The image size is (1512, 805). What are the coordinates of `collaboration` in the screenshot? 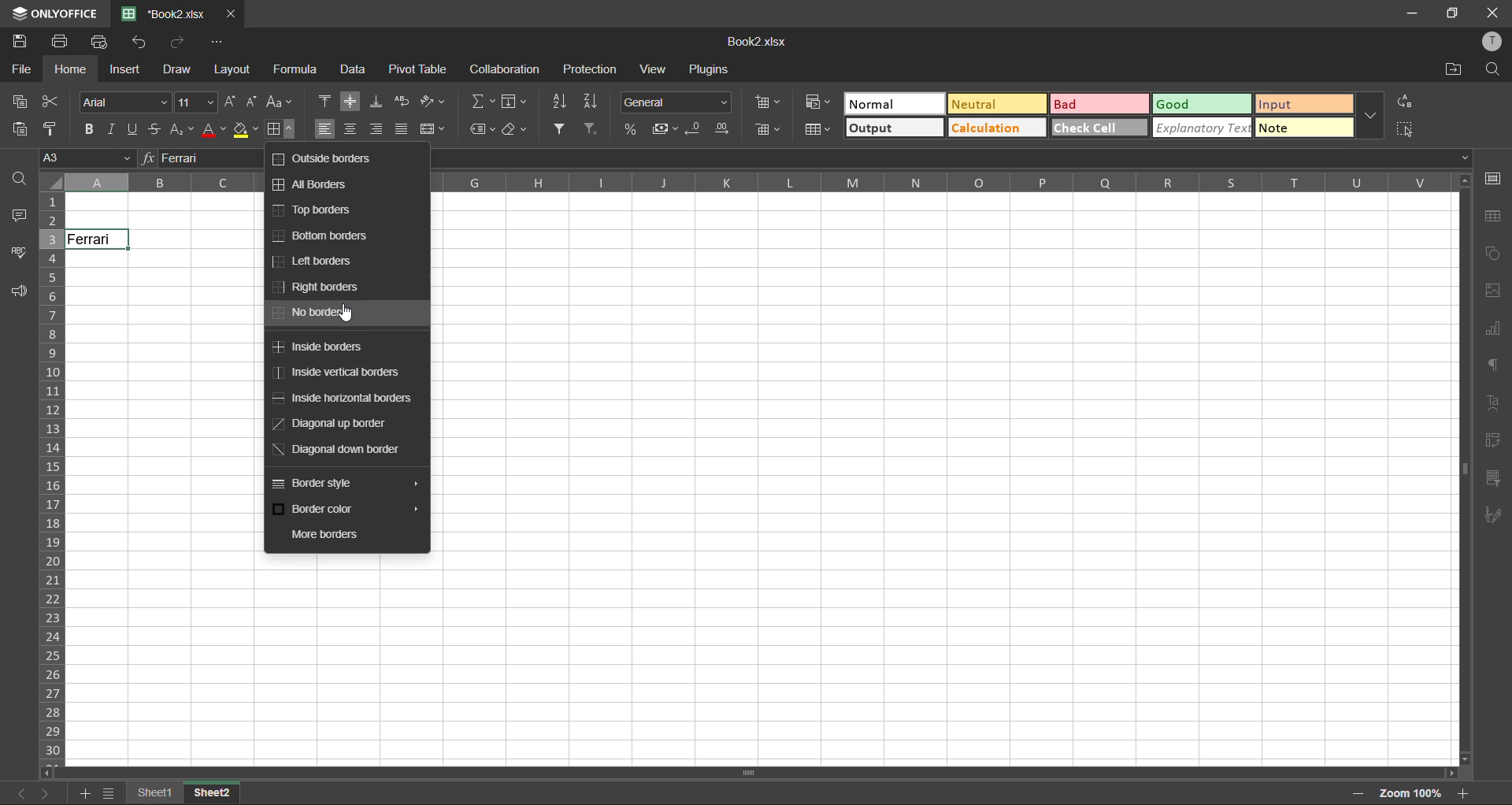 It's located at (506, 69).